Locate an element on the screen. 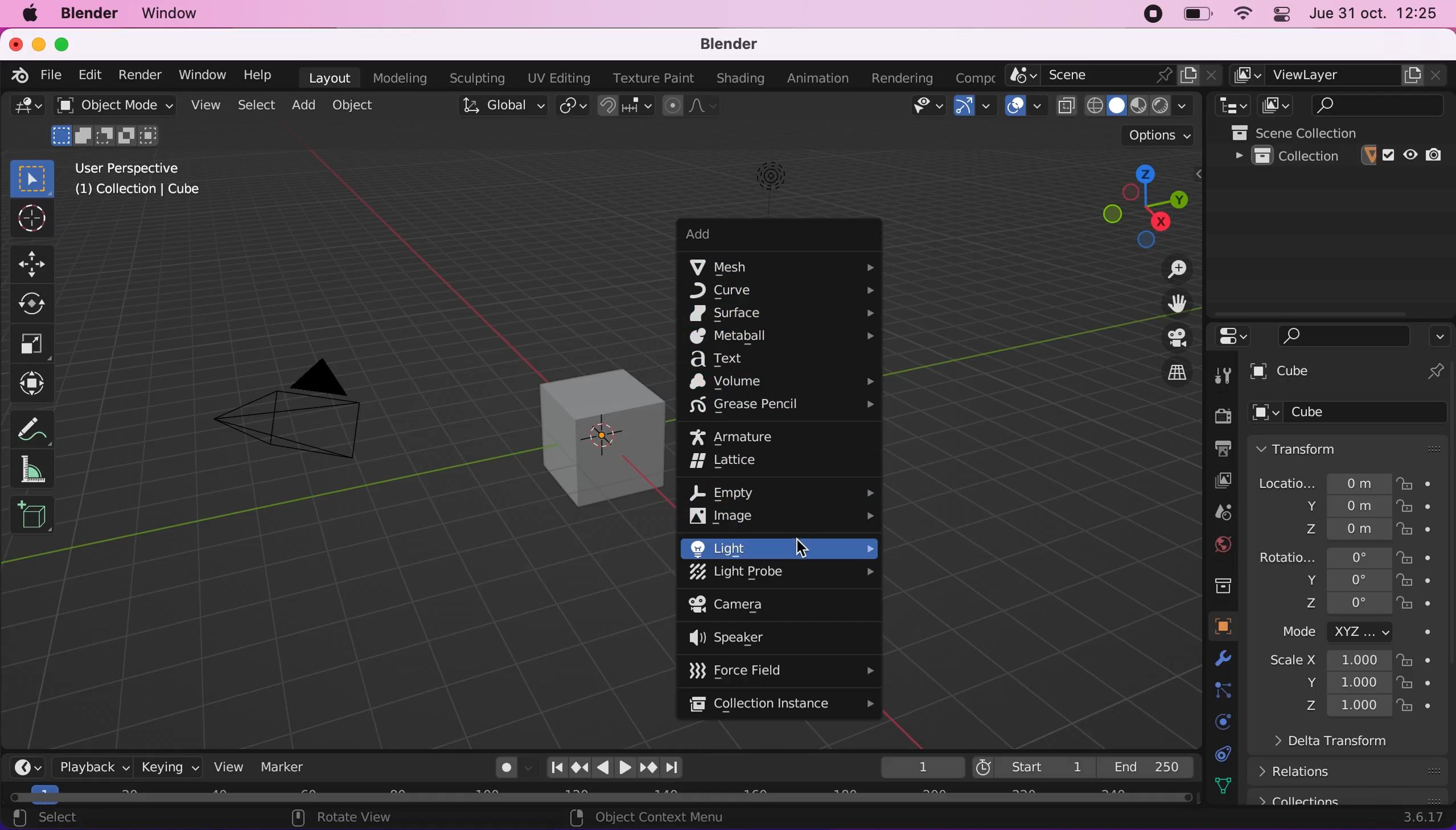 The width and height of the screenshot is (1456, 830). collections is located at coordinates (1217, 583).